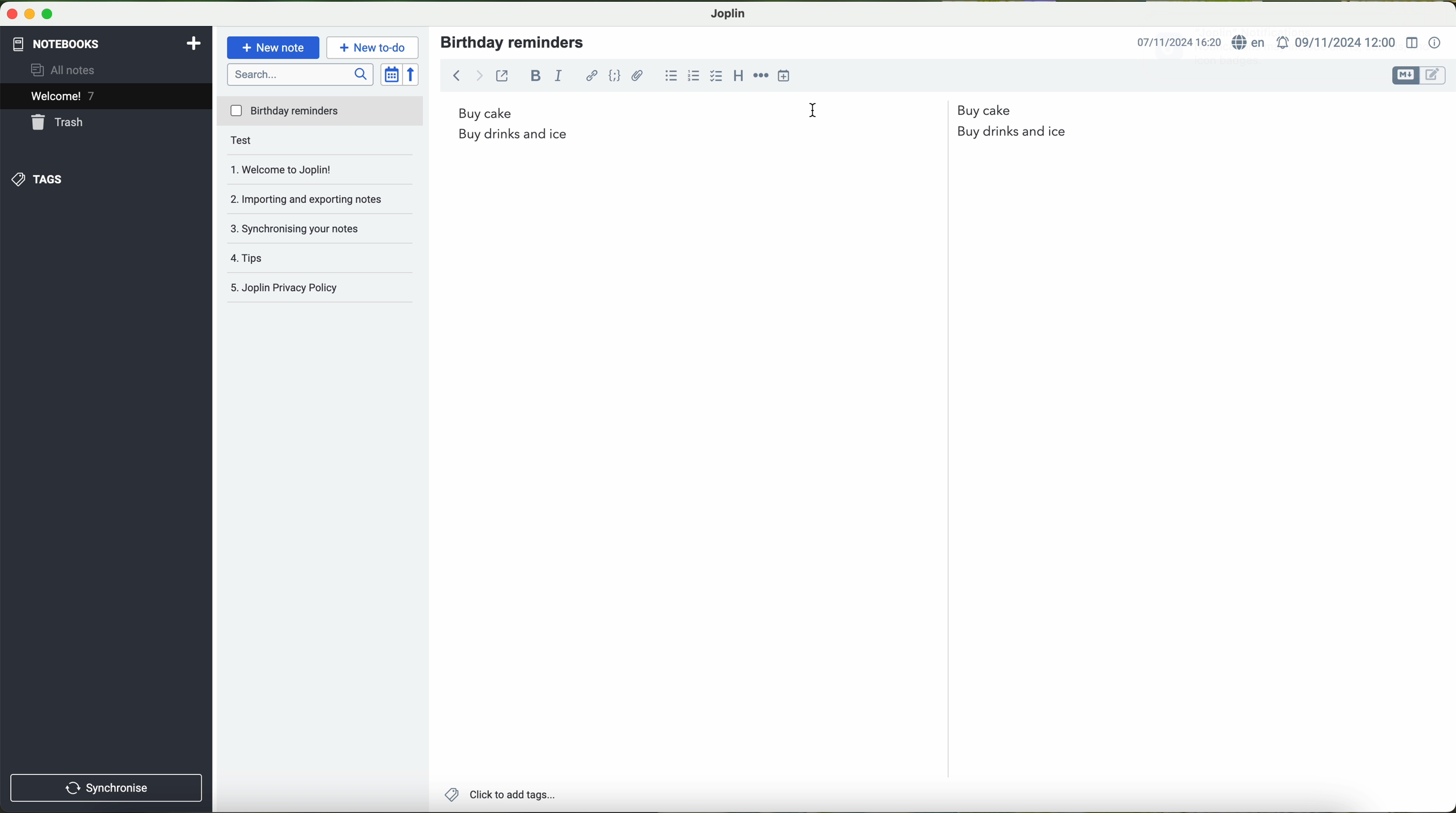  Describe the element at coordinates (503, 794) in the screenshot. I see `add tags` at that location.